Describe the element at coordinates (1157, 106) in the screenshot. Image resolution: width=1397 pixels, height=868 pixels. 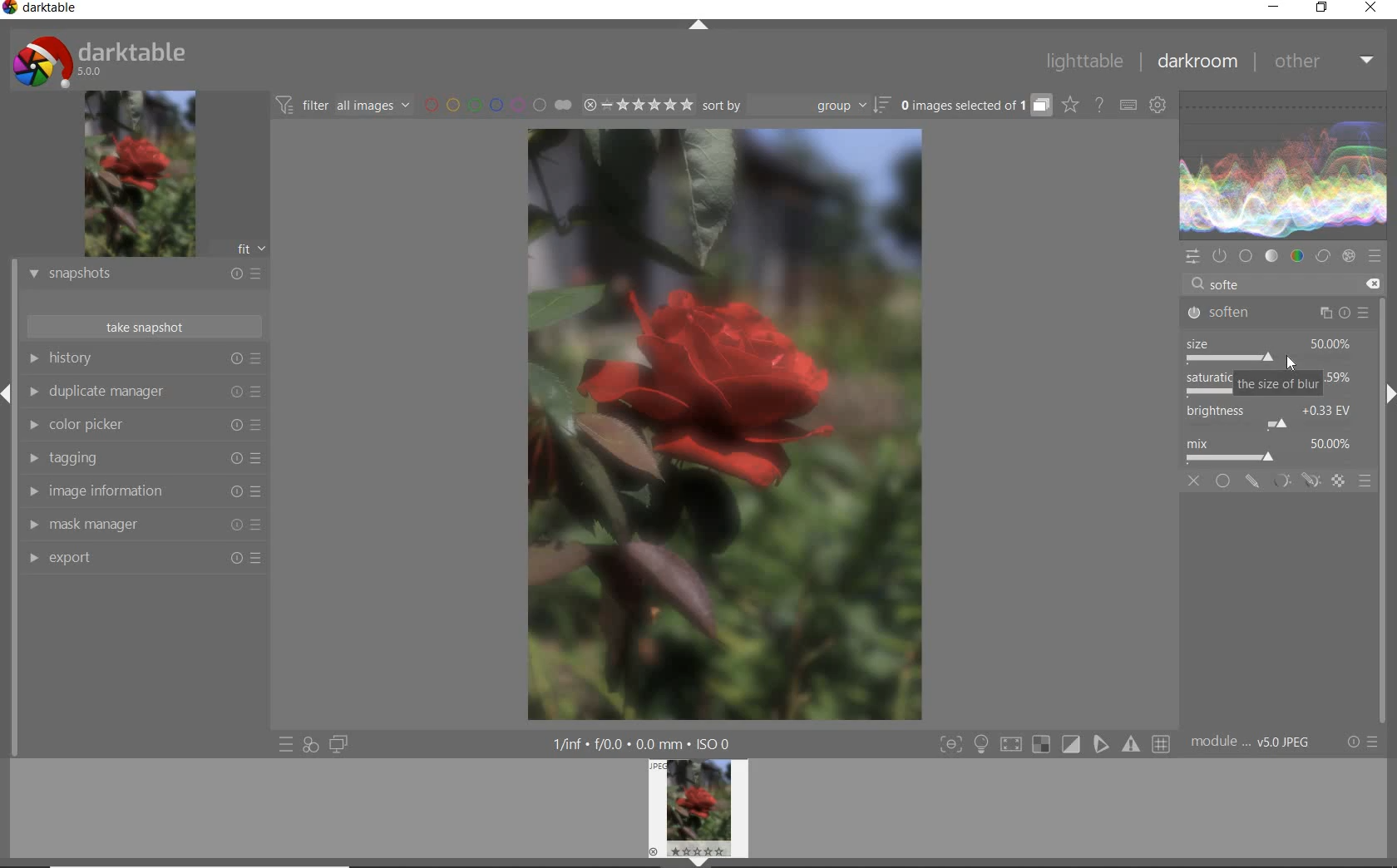
I see `show global preferences` at that location.